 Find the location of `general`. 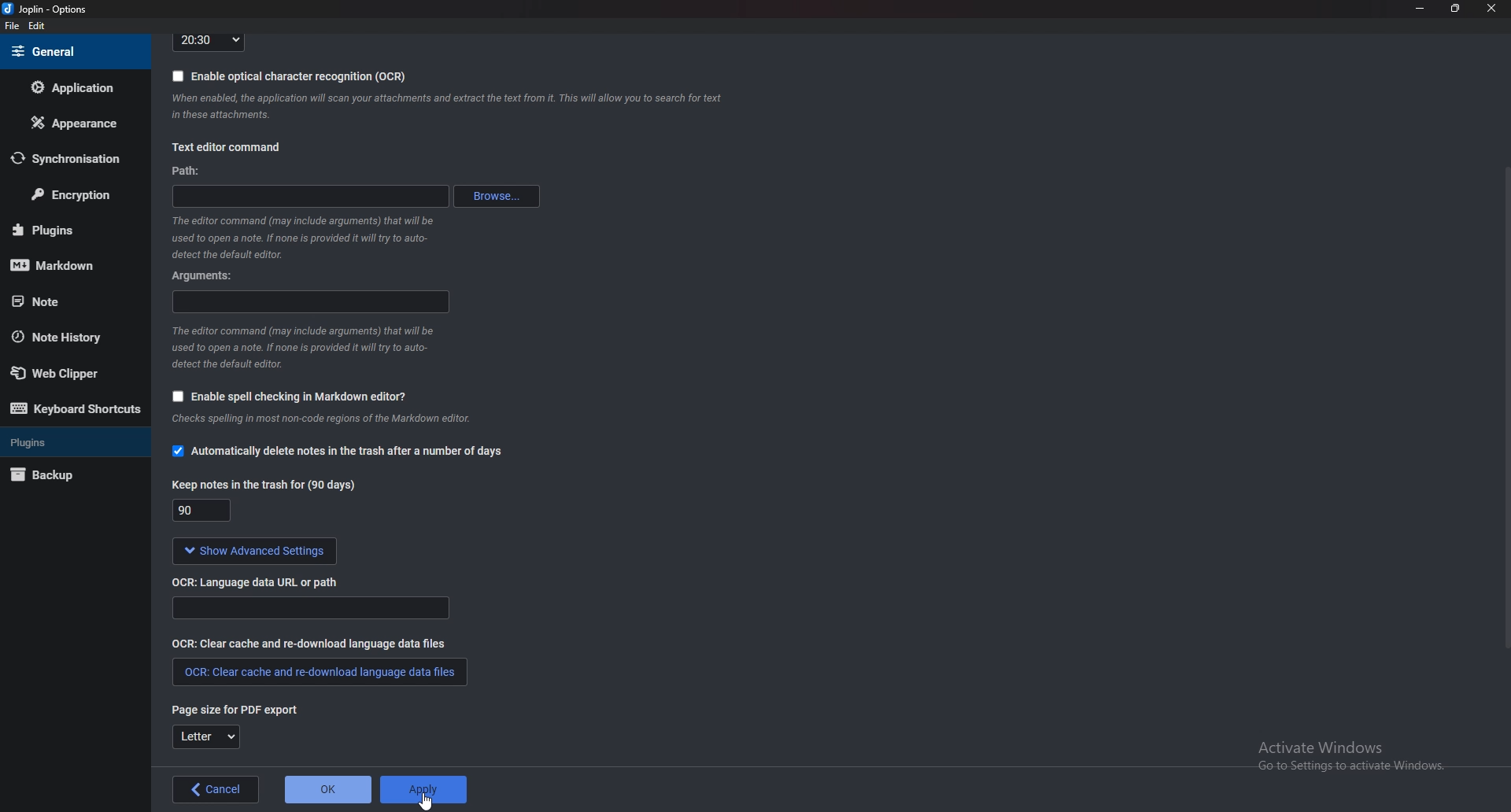

general is located at coordinates (72, 51).